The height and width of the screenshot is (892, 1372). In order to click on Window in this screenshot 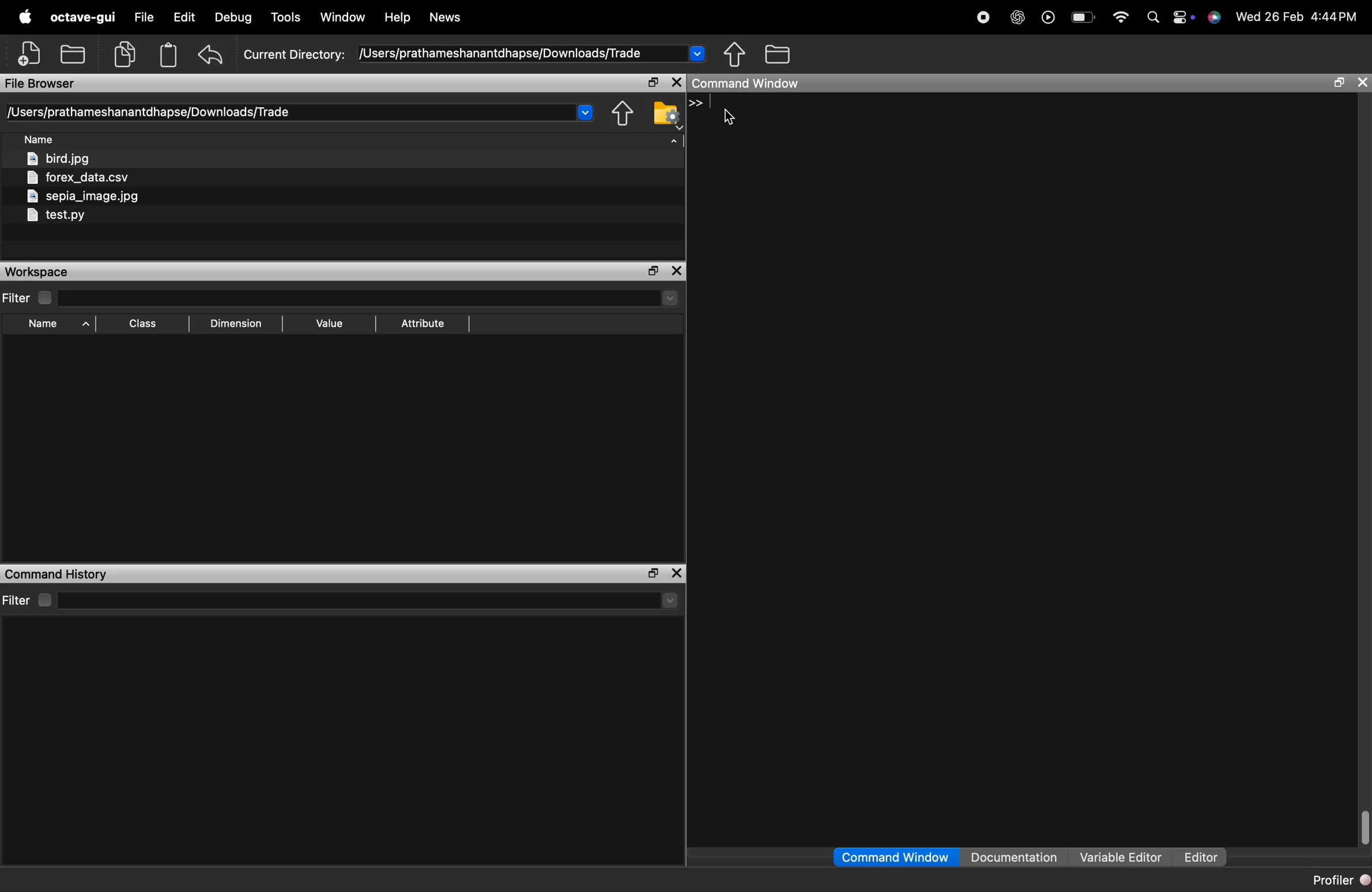, I will do `click(342, 17)`.